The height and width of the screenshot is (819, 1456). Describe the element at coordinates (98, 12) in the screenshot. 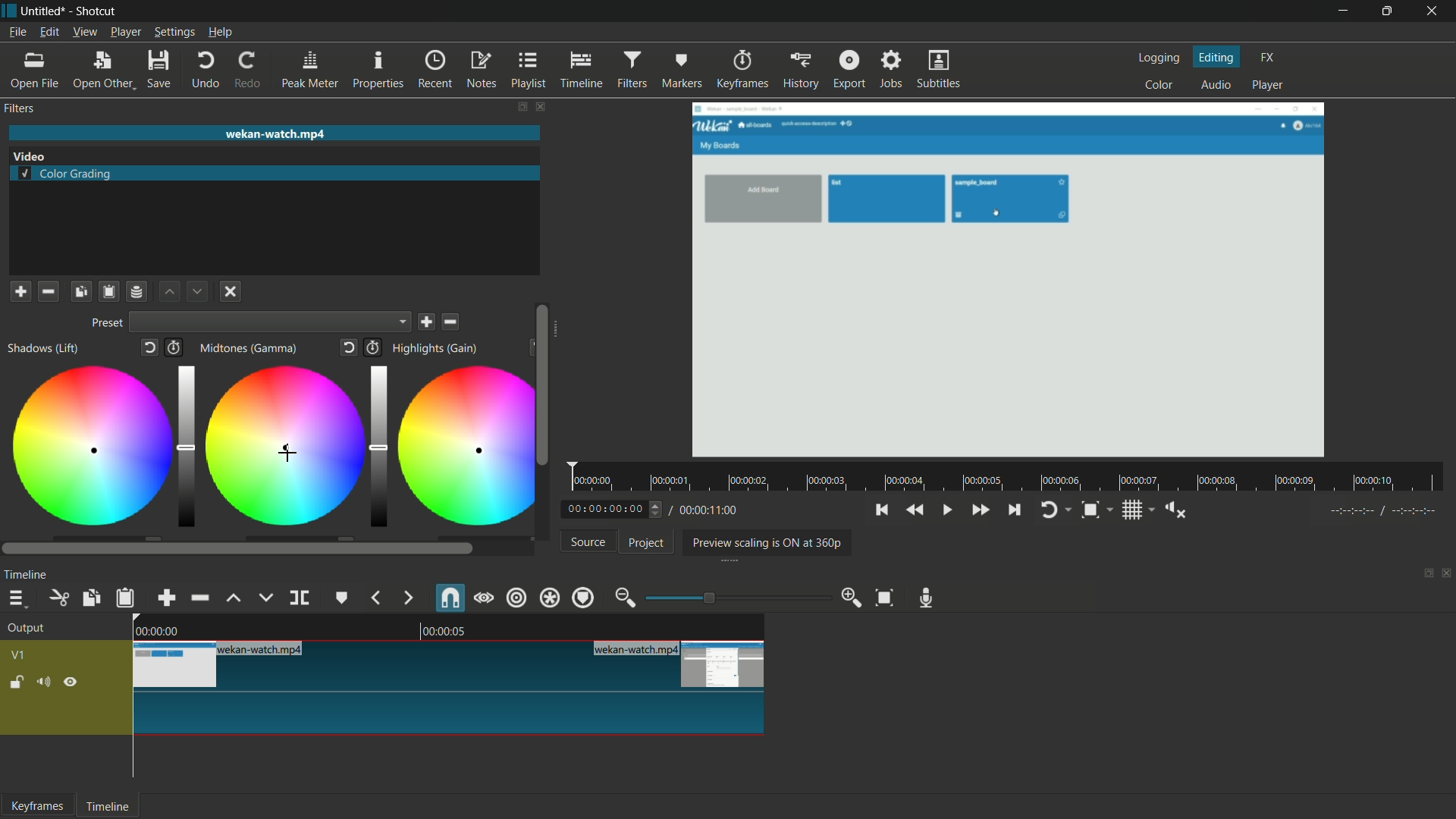

I see `app name` at that location.